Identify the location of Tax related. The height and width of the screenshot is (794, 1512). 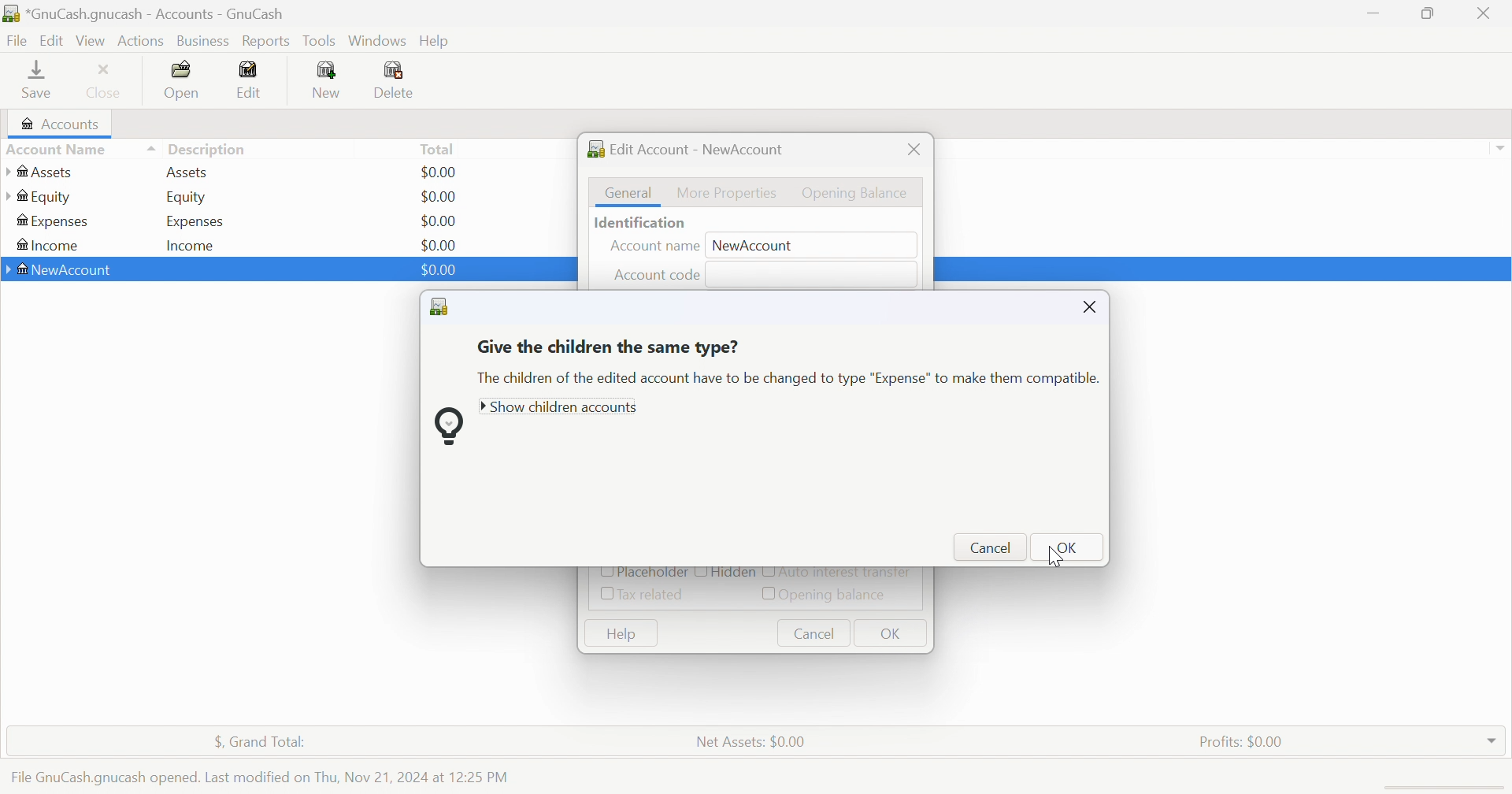
(654, 595).